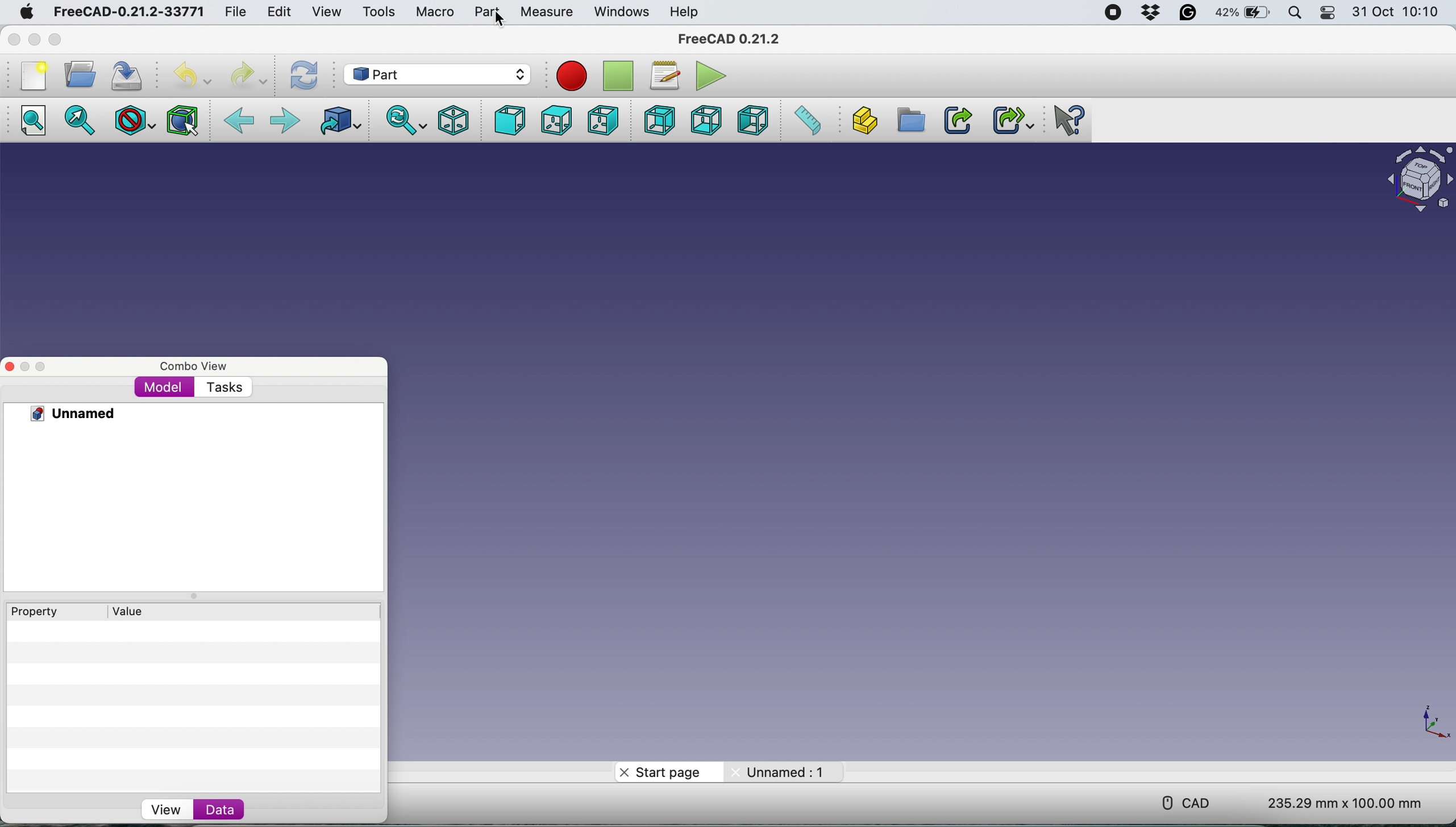 Image resolution: width=1456 pixels, height=827 pixels. What do you see at coordinates (659, 119) in the screenshot?
I see `Rear` at bounding box center [659, 119].